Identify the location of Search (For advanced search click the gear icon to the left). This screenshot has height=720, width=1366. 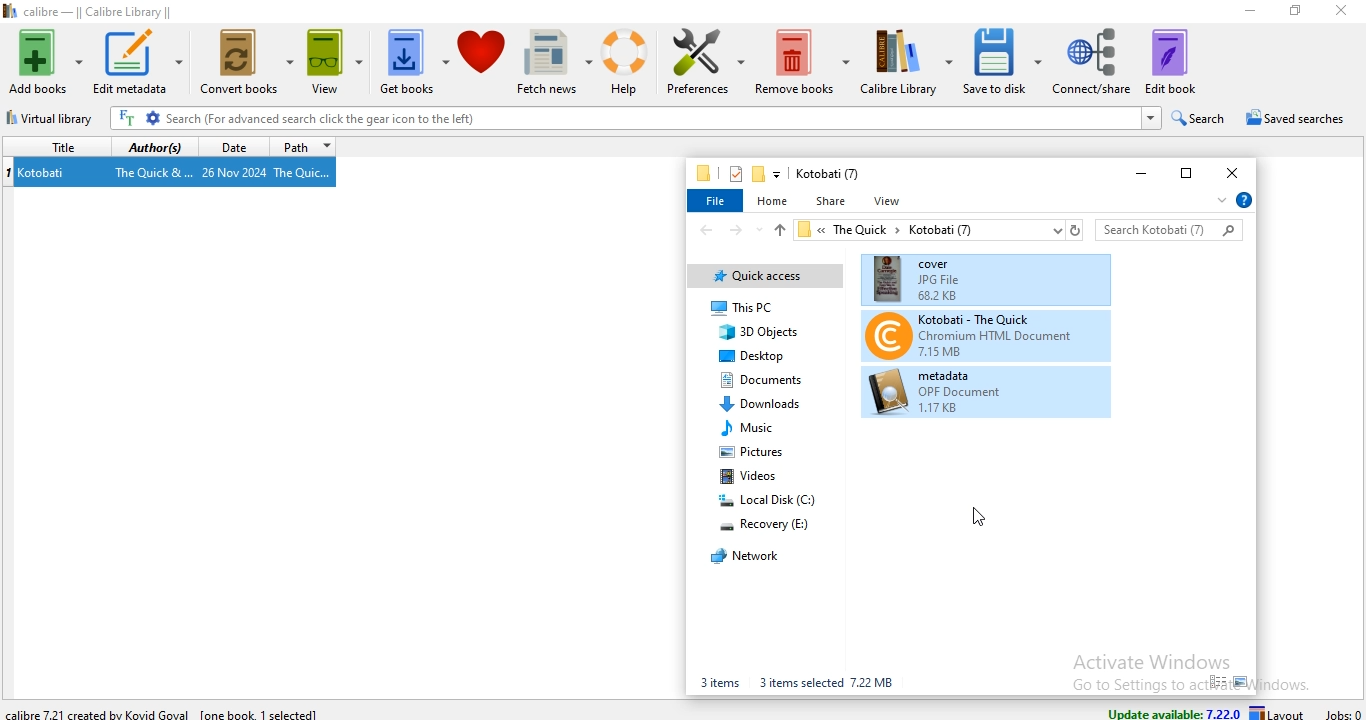
(635, 118).